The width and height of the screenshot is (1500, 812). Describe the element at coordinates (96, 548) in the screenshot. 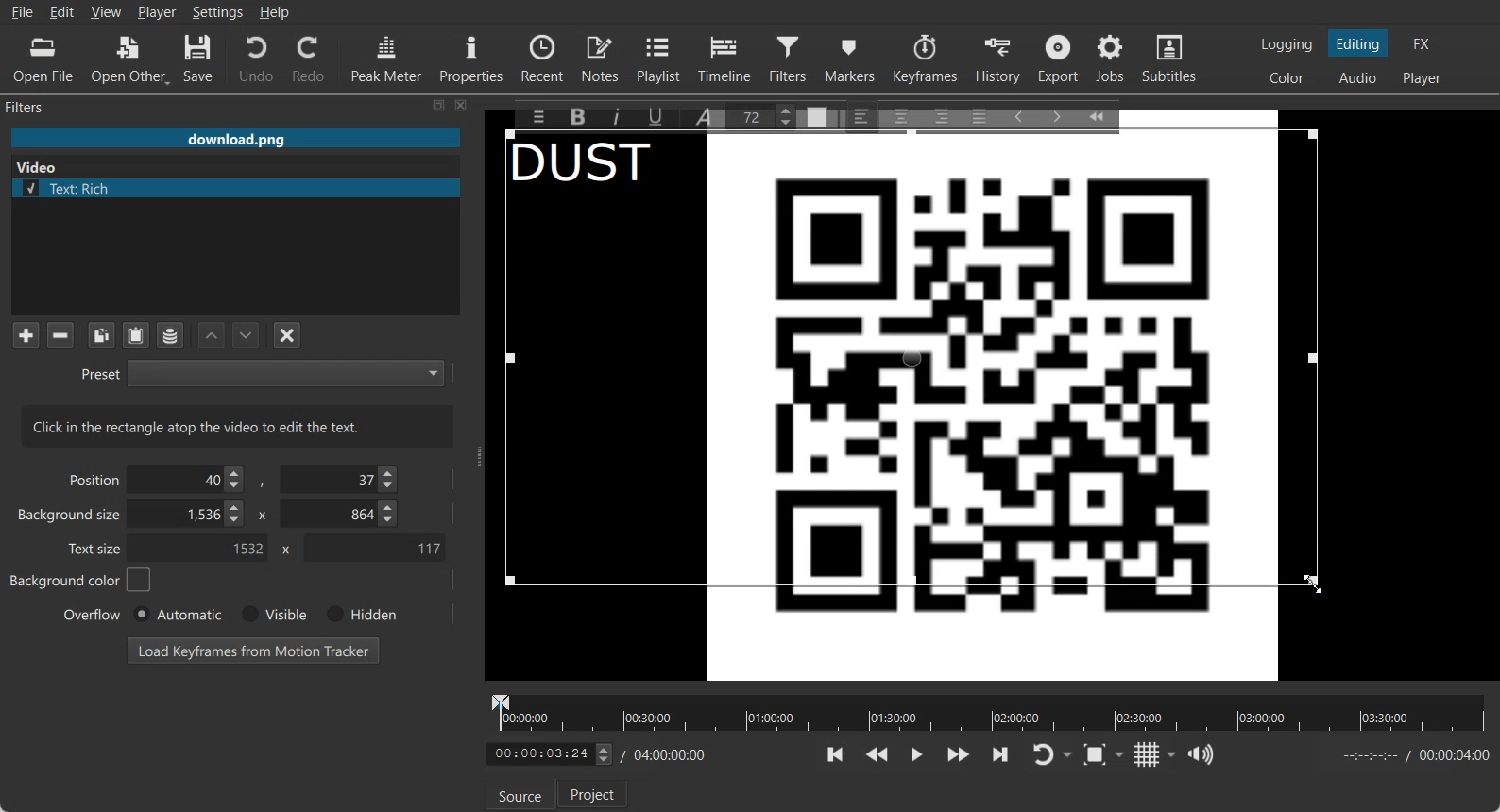

I see `Text size` at that location.